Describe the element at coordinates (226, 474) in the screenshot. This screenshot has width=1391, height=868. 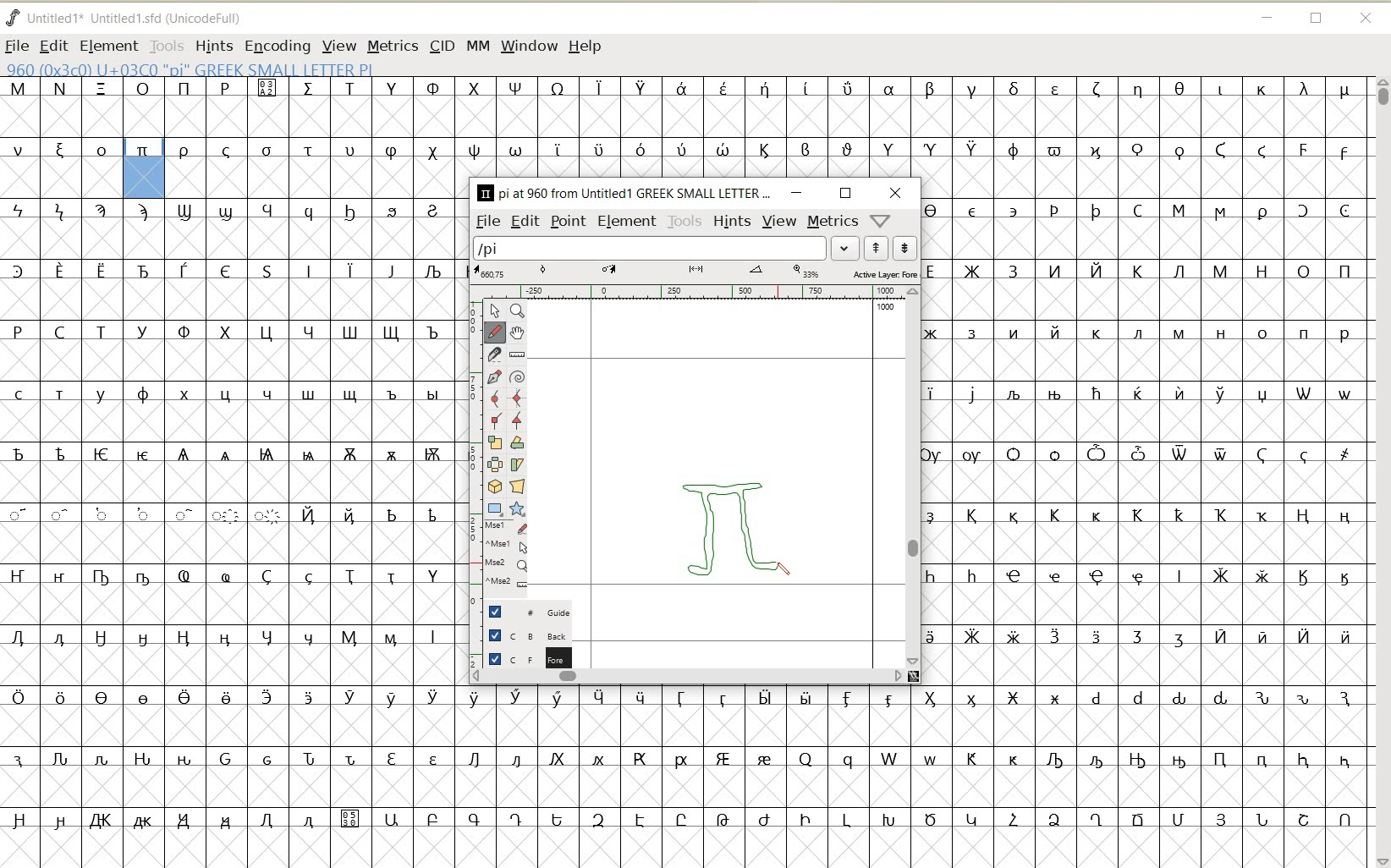
I see `Glyph characters and numbers` at that location.